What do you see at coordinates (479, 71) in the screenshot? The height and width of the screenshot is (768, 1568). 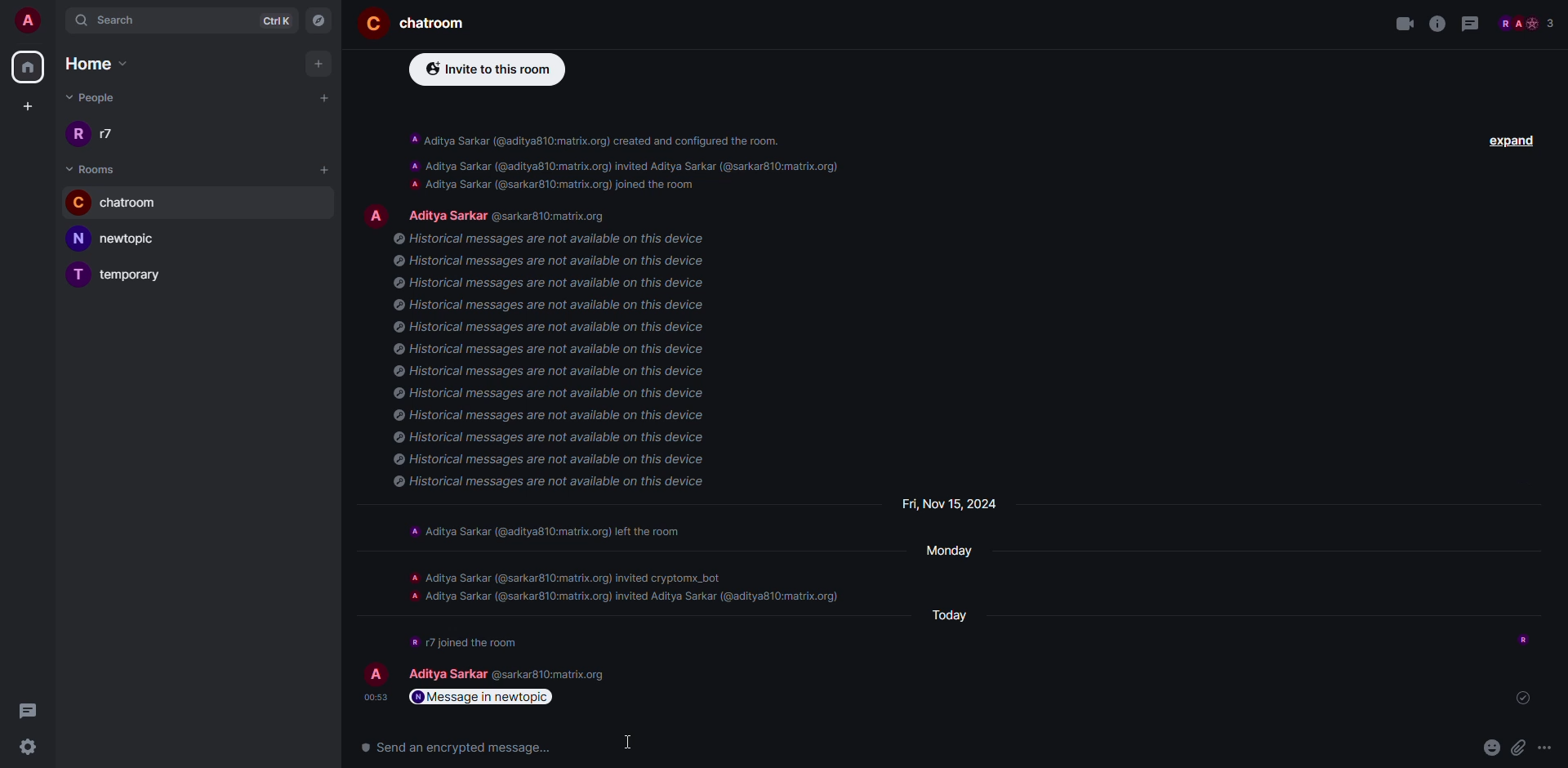 I see `Invite to this room` at bounding box center [479, 71].